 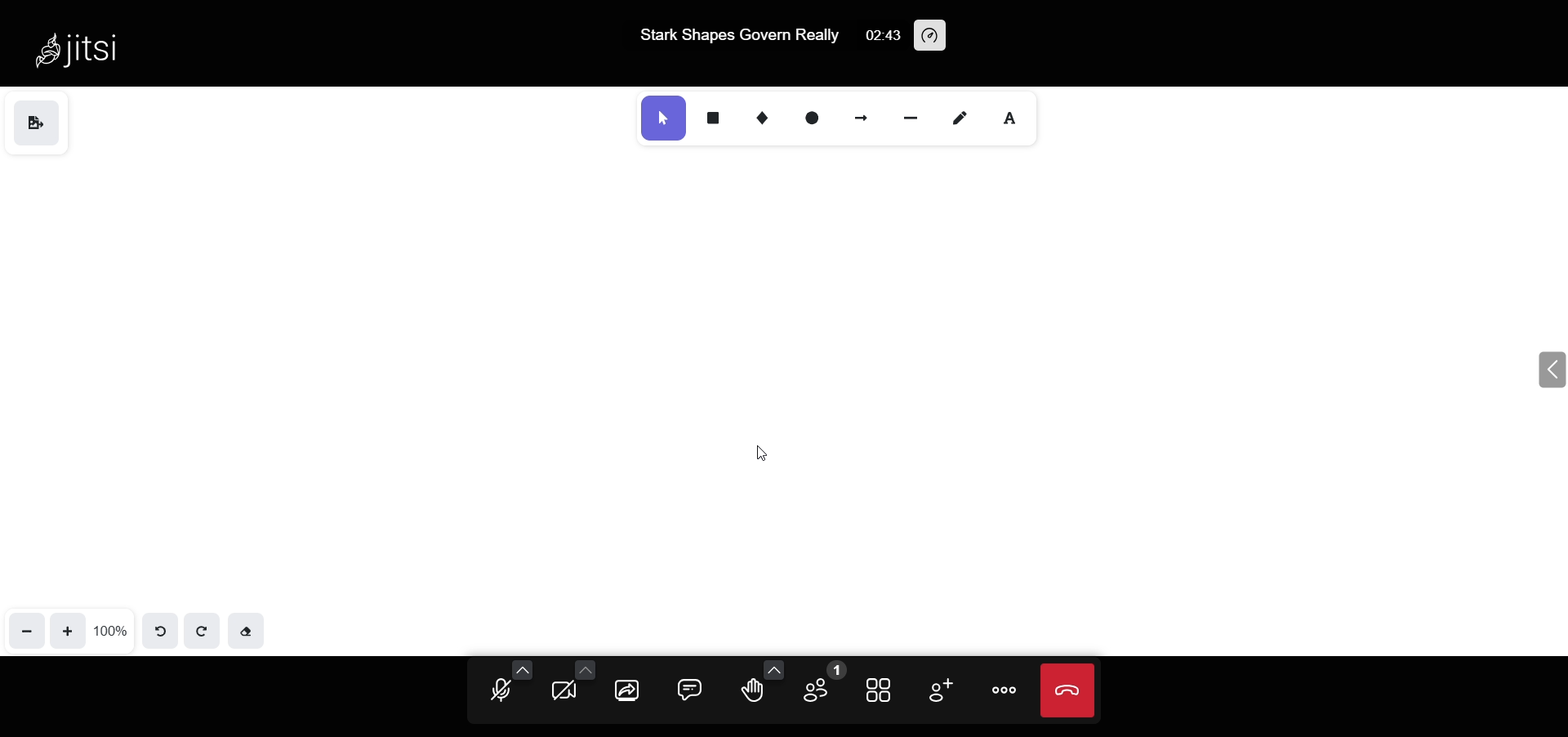 I want to click on more camera option, so click(x=585, y=668).